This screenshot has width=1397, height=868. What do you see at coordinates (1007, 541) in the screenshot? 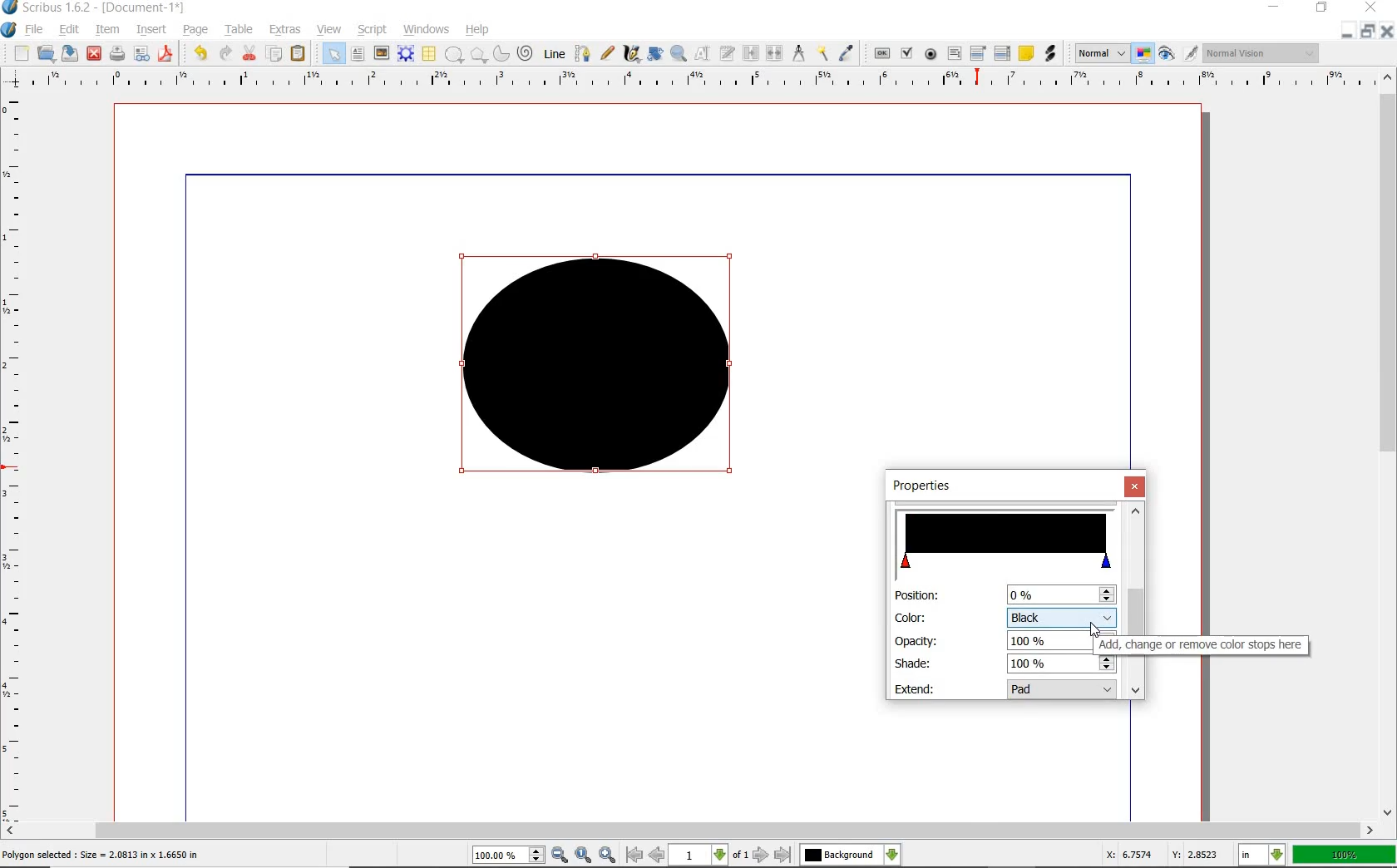
I see `color stop` at bounding box center [1007, 541].